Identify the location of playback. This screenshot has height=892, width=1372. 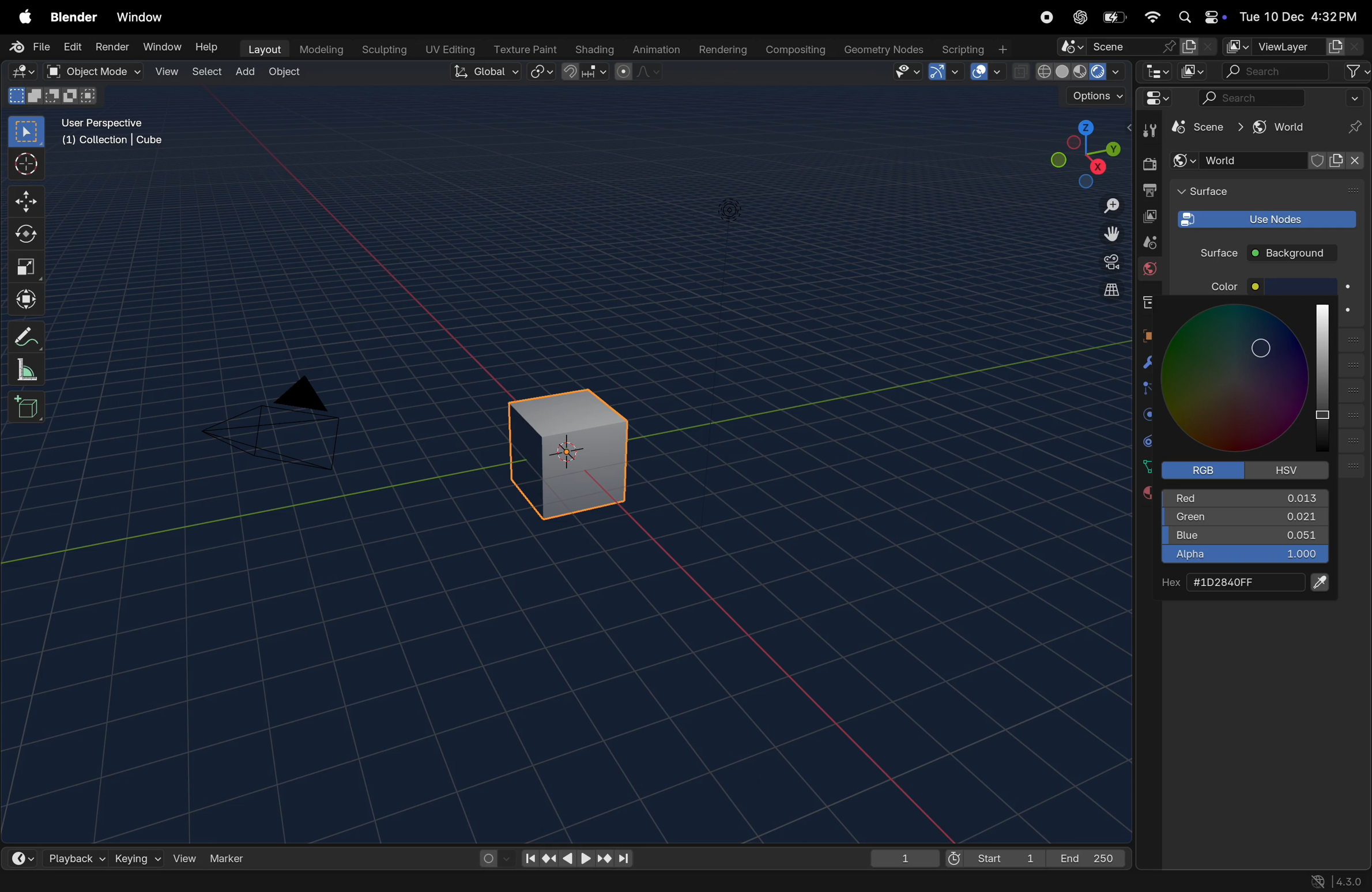
(71, 856).